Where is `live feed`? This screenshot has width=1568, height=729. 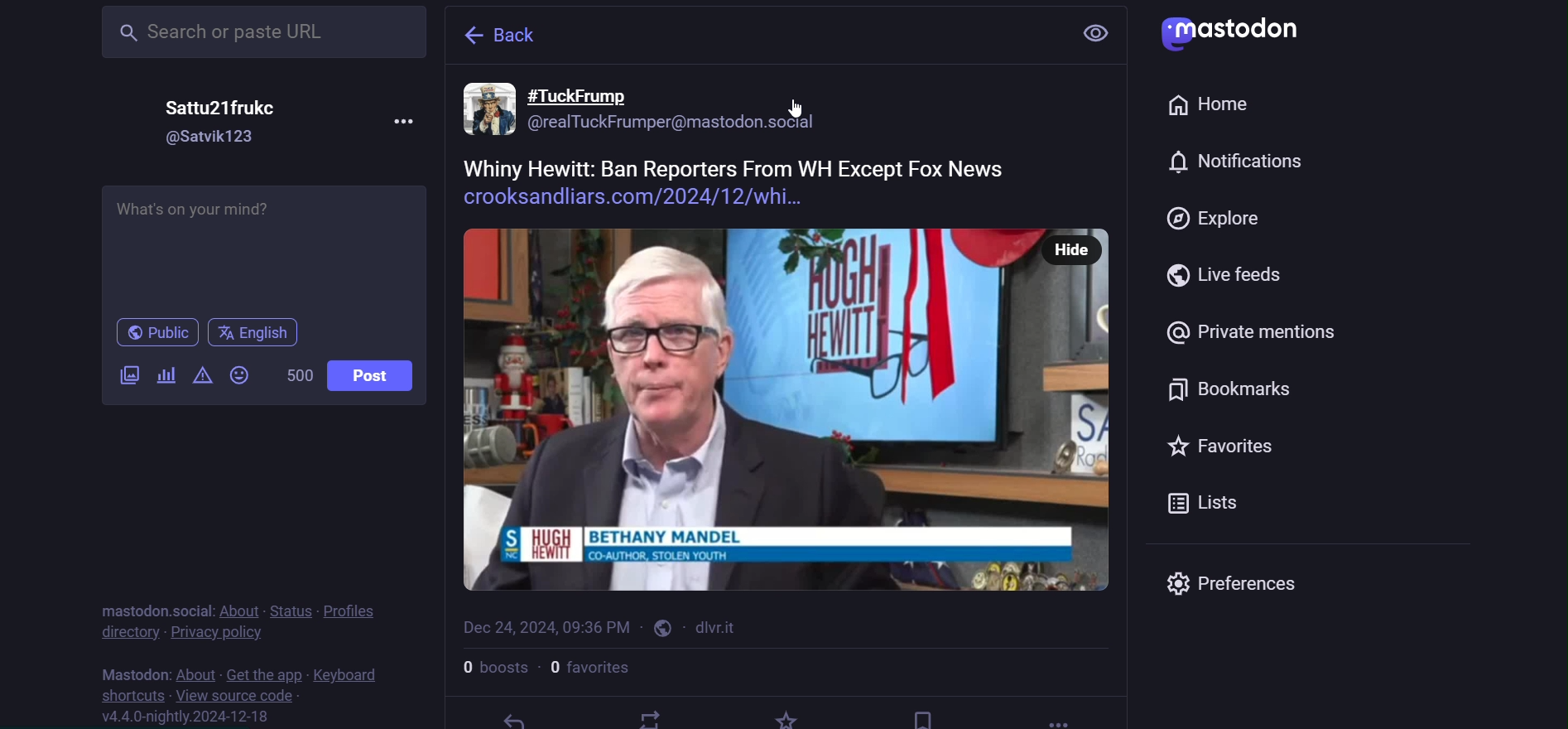 live feed is located at coordinates (1227, 278).